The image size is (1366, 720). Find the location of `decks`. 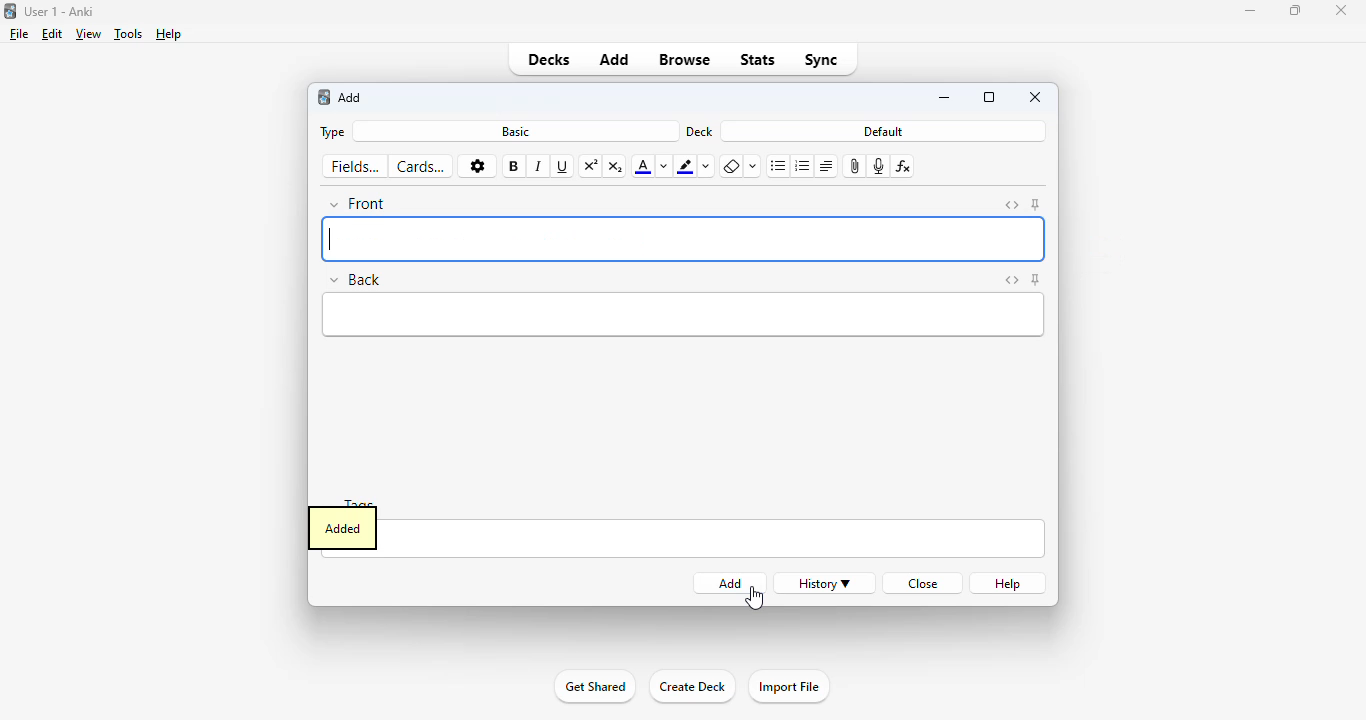

decks is located at coordinates (550, 60).